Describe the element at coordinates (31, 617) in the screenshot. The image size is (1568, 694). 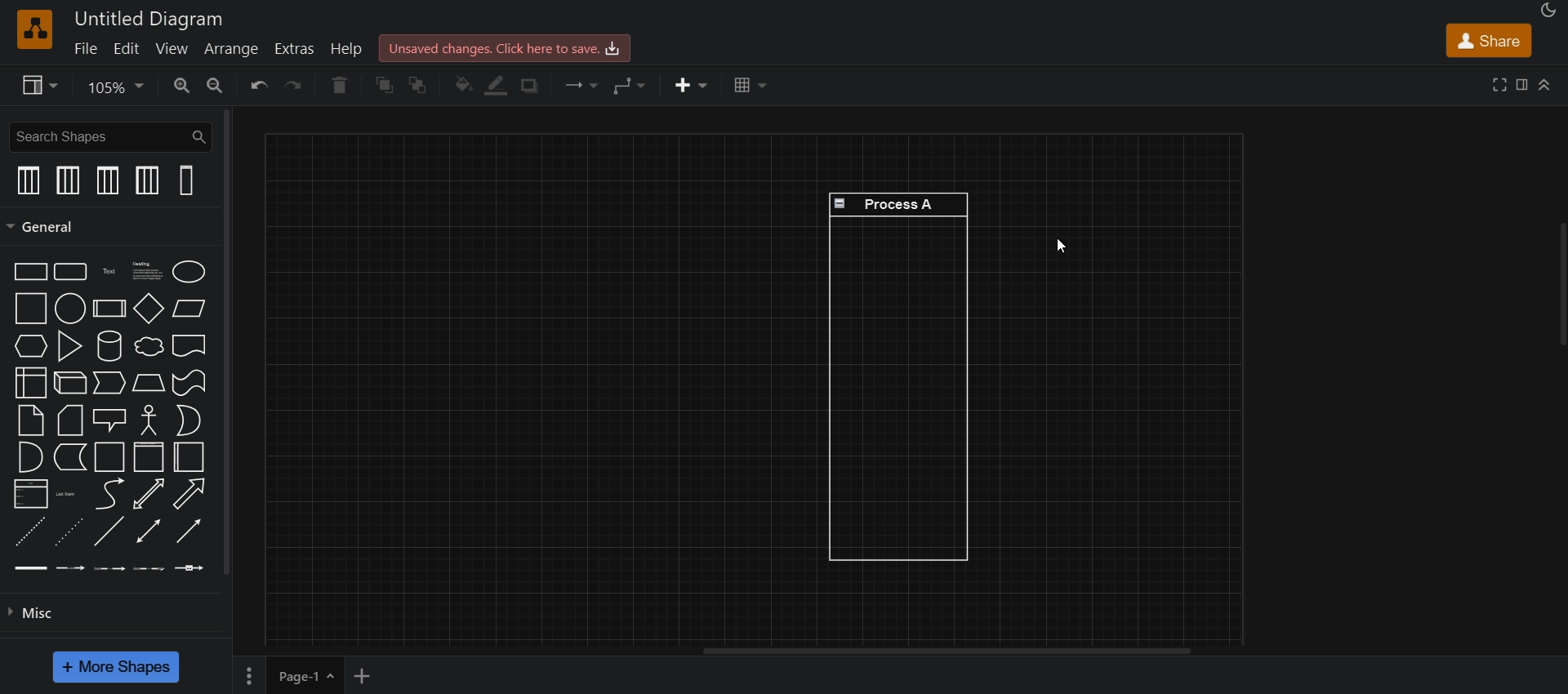
I see `misc` at that location.